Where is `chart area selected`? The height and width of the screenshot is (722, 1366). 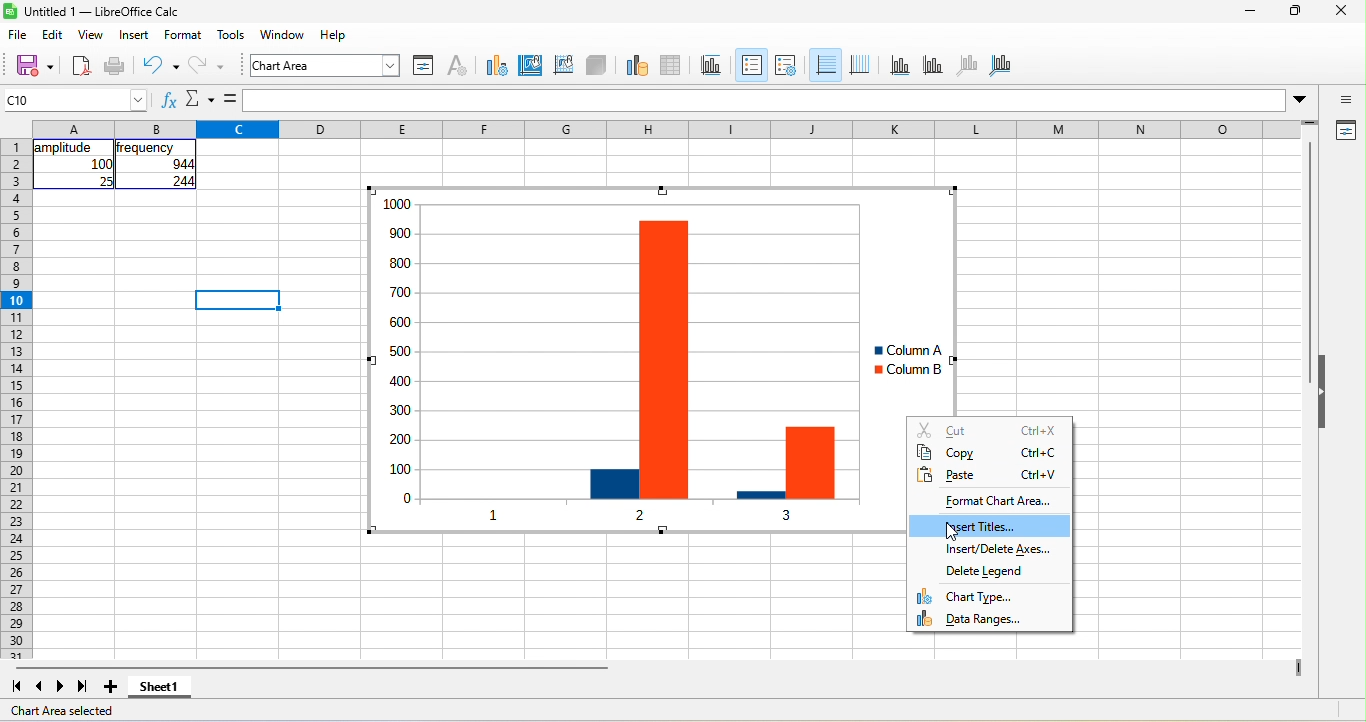 chart area selected is located at coordinates (62, 711).